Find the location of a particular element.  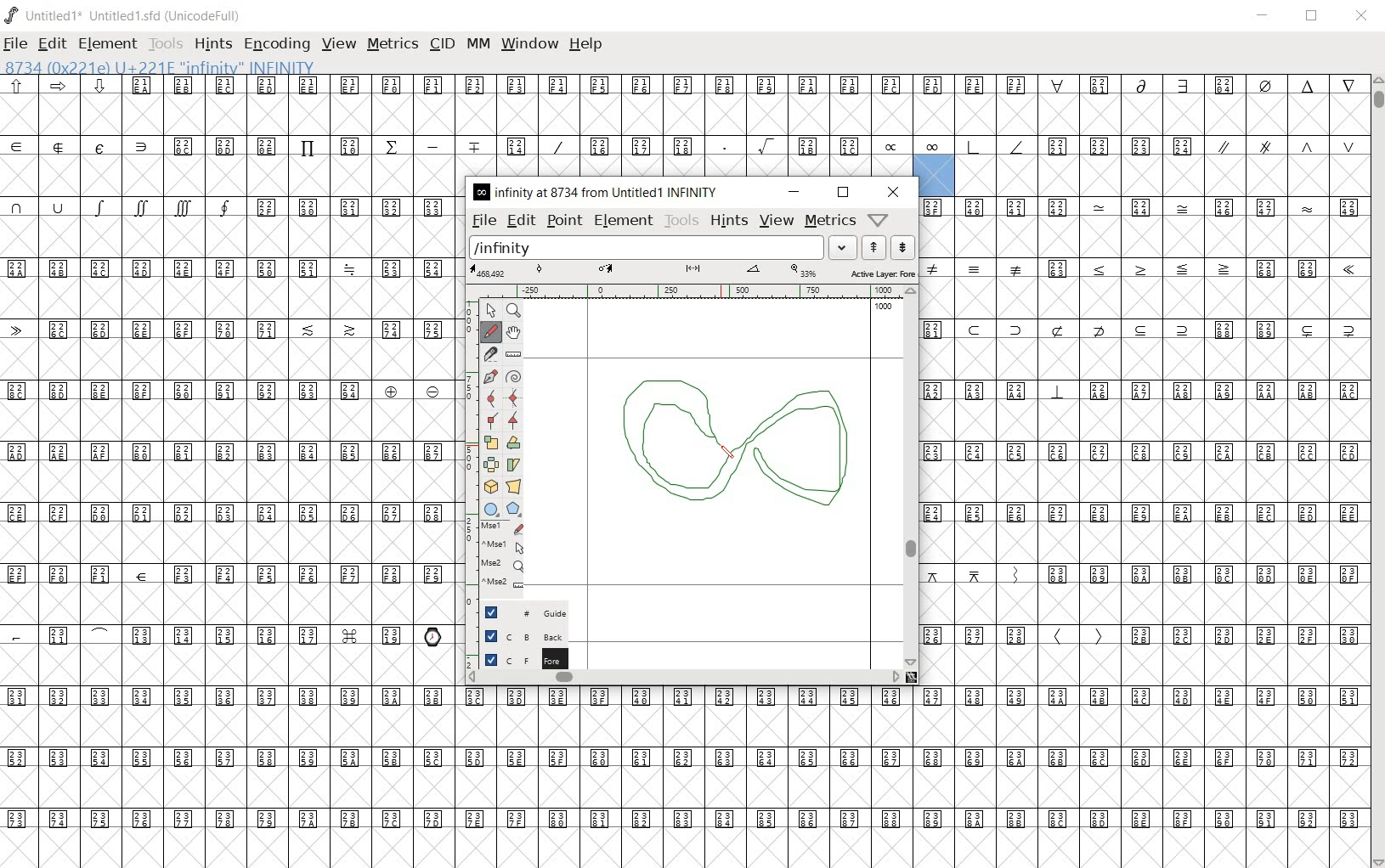

INFINITY AT 8734 FROM UNTITLED1 INFINITY is located at coordinates (597, 192).